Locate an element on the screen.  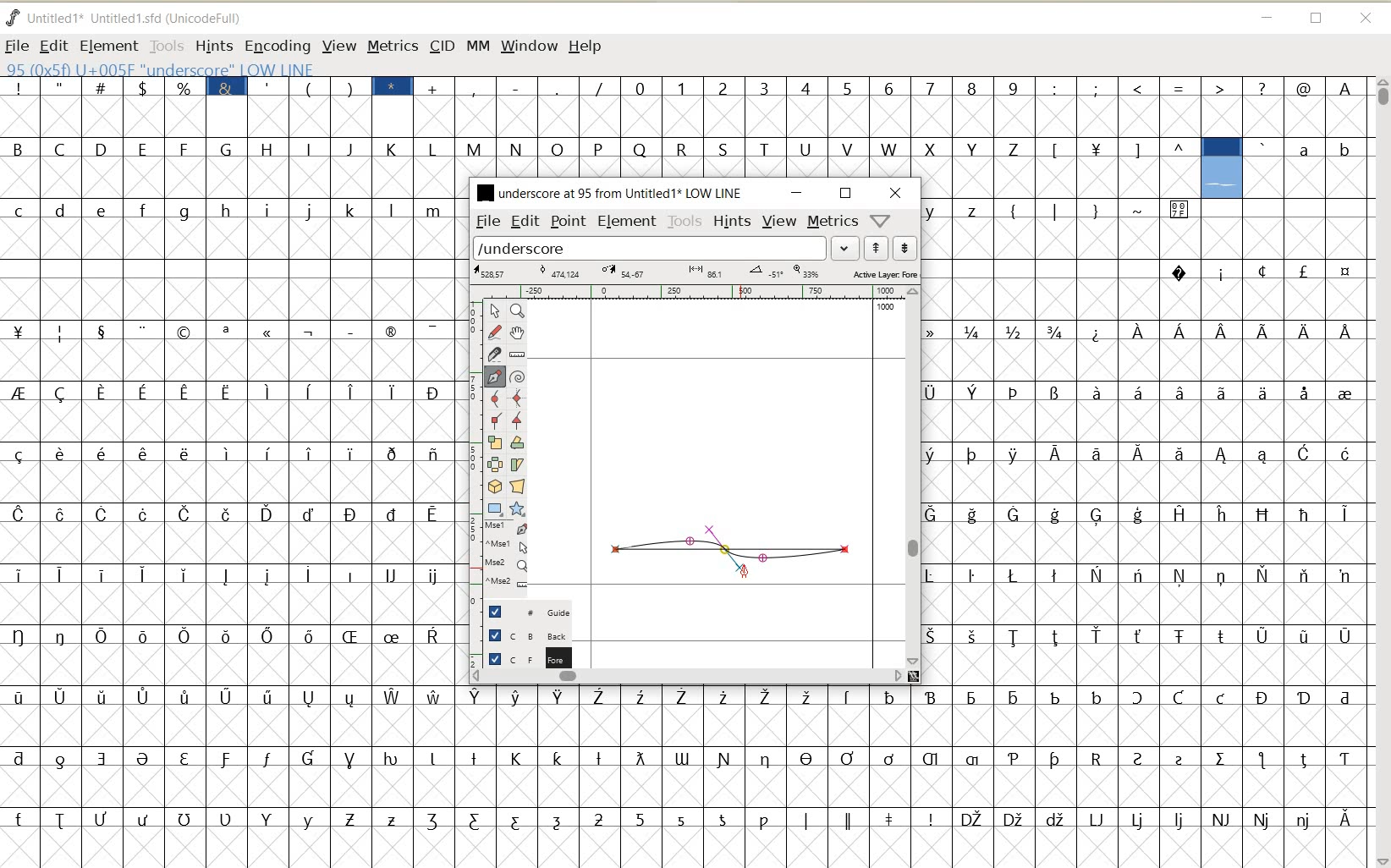
FILE is located at coordinates (487, 222).